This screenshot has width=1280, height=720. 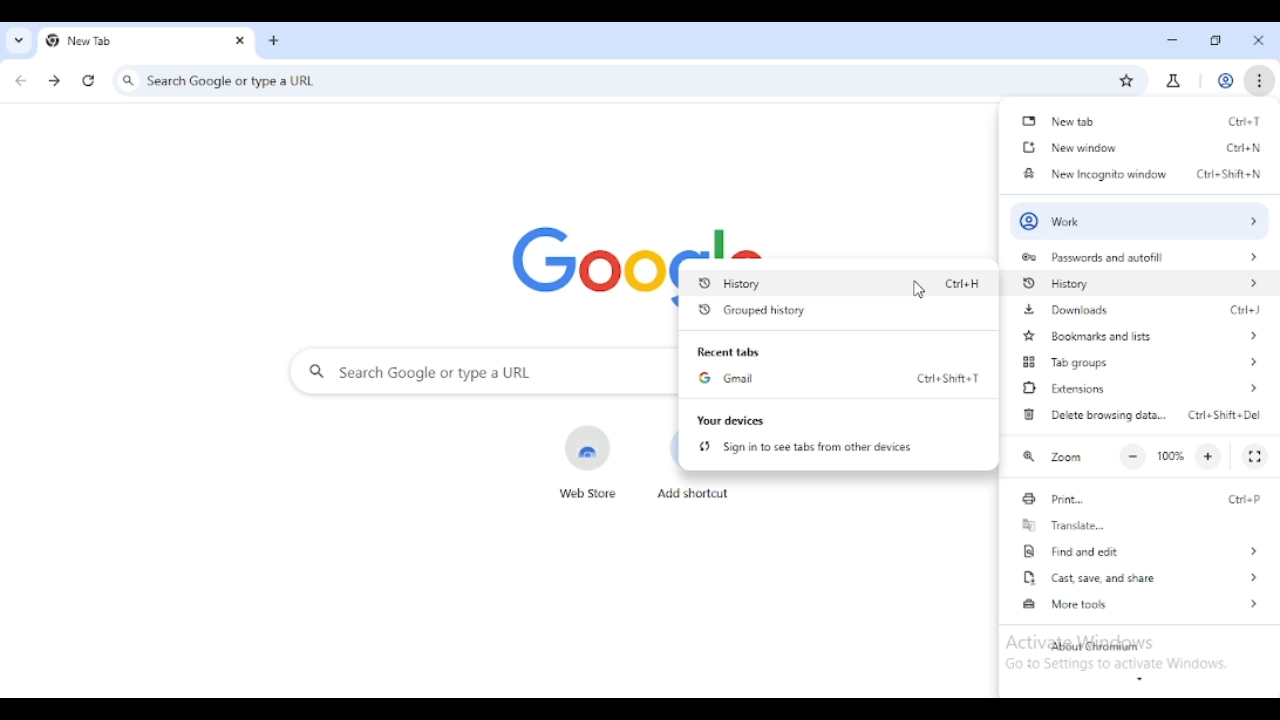 I want to click on profile, so click(x=1140, y=221).